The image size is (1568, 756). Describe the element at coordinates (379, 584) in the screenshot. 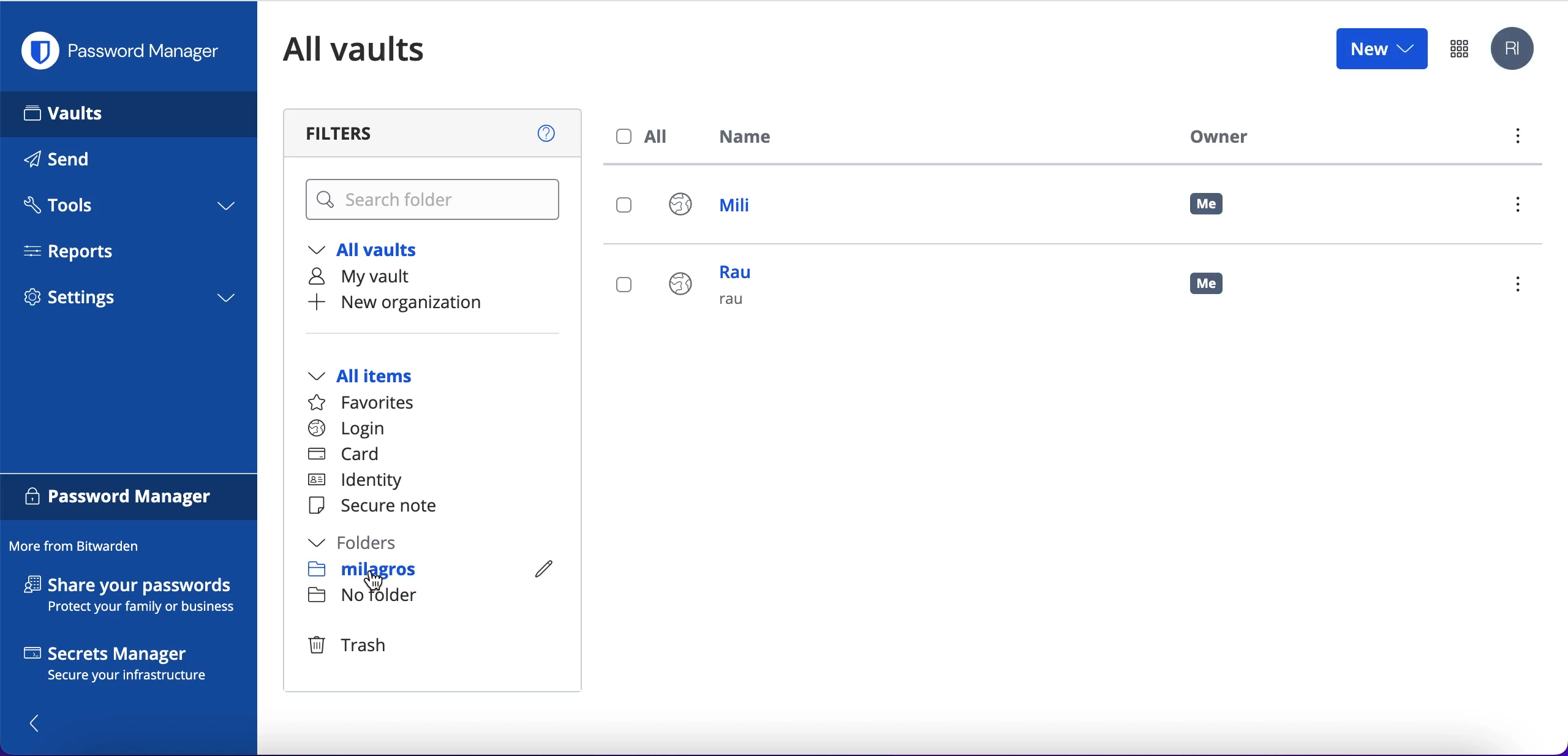

I see `cursor` at that location.